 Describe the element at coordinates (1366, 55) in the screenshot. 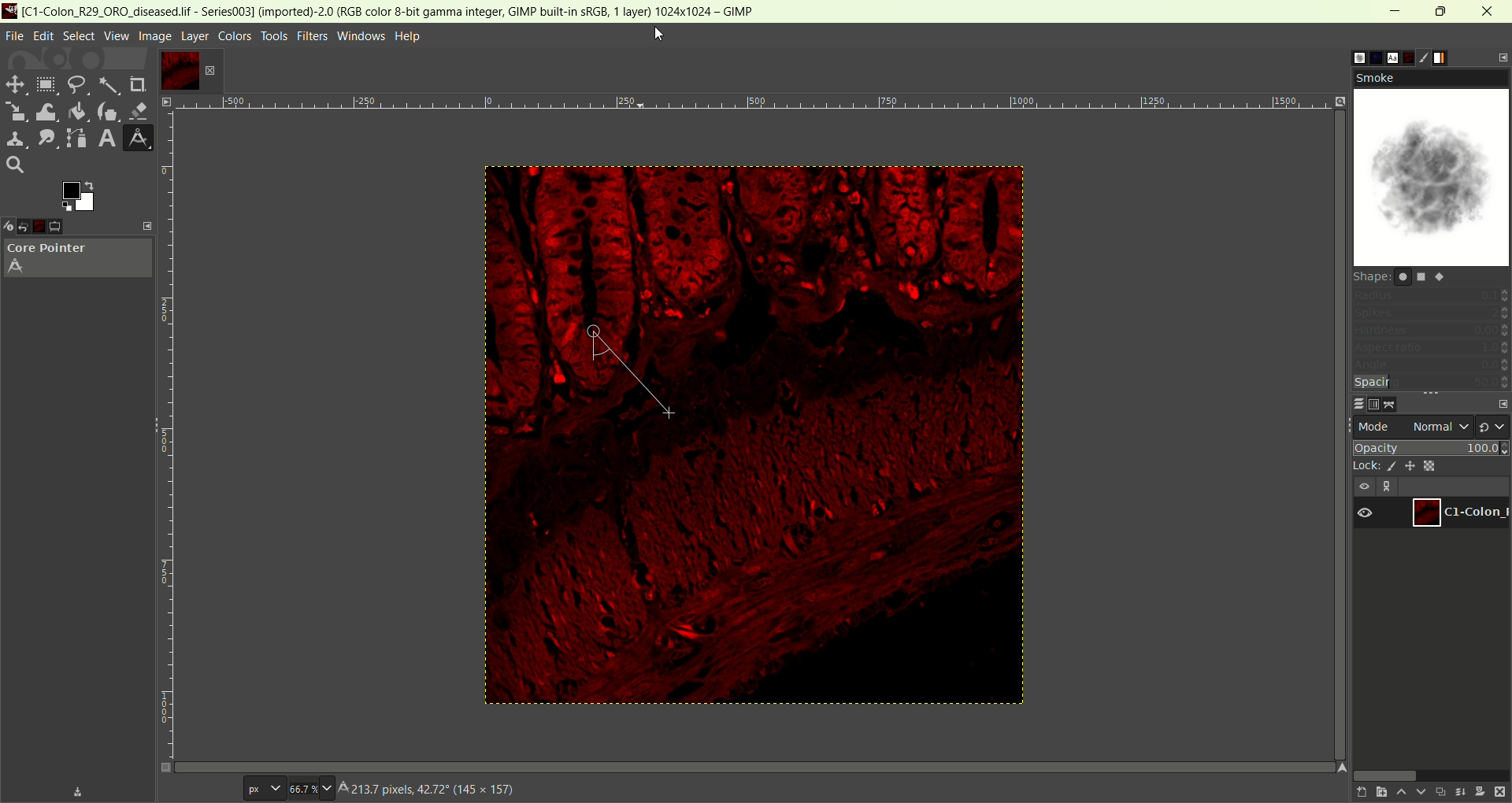

I see `pattern` at that location.